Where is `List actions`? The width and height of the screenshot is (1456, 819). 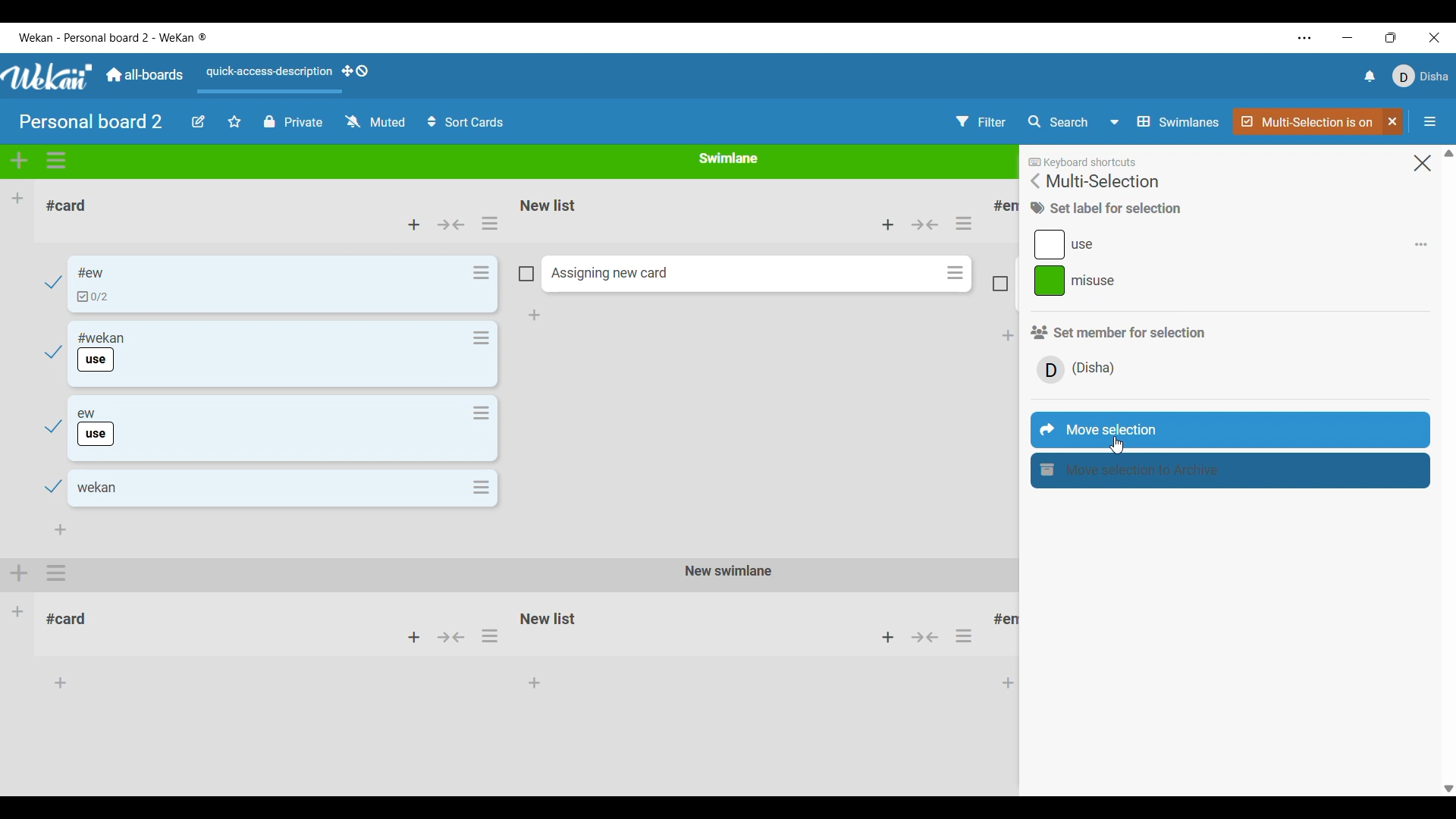 List actions is located at coordinates (964, 223).